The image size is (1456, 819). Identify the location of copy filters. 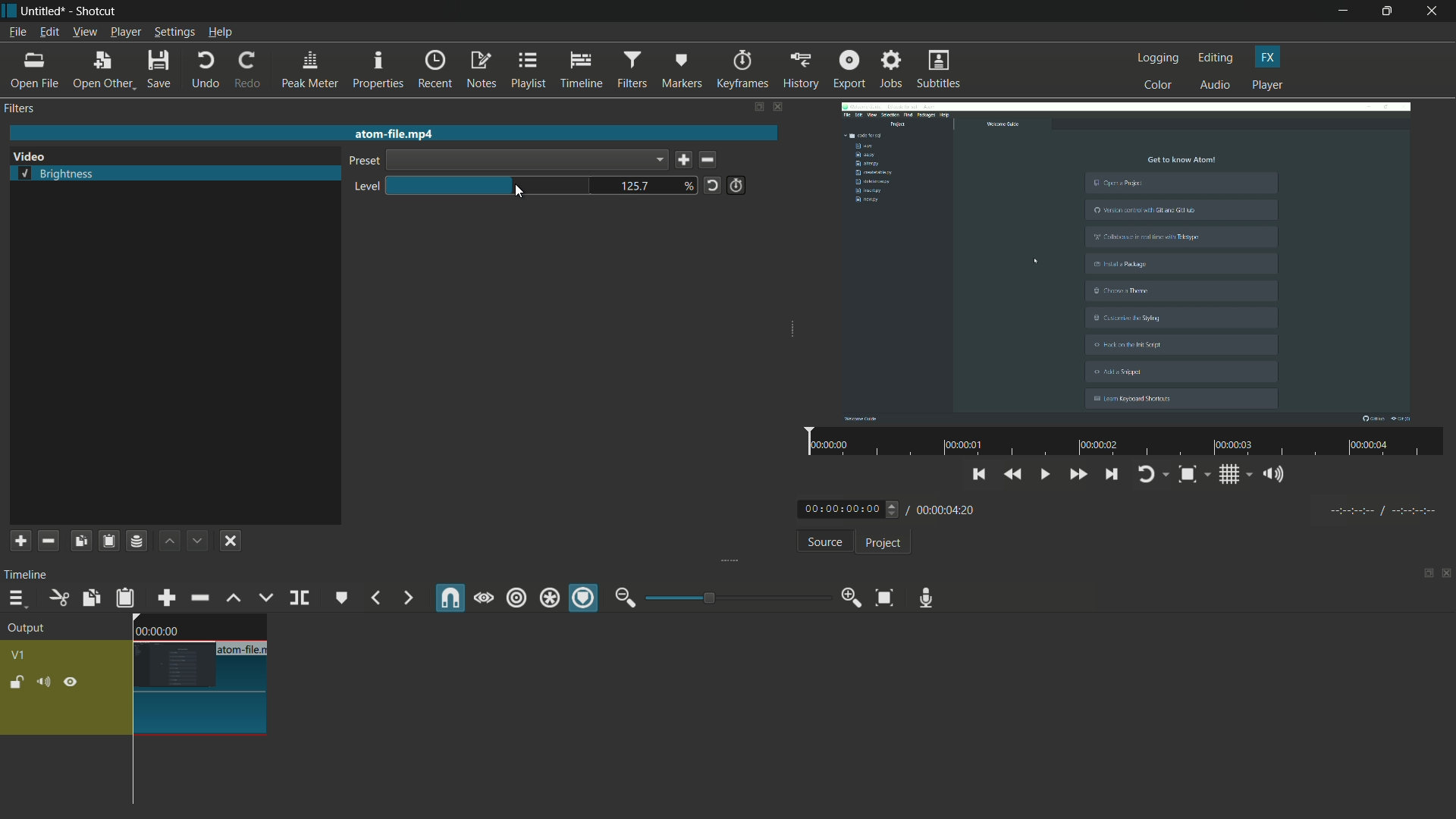
(80, 541).